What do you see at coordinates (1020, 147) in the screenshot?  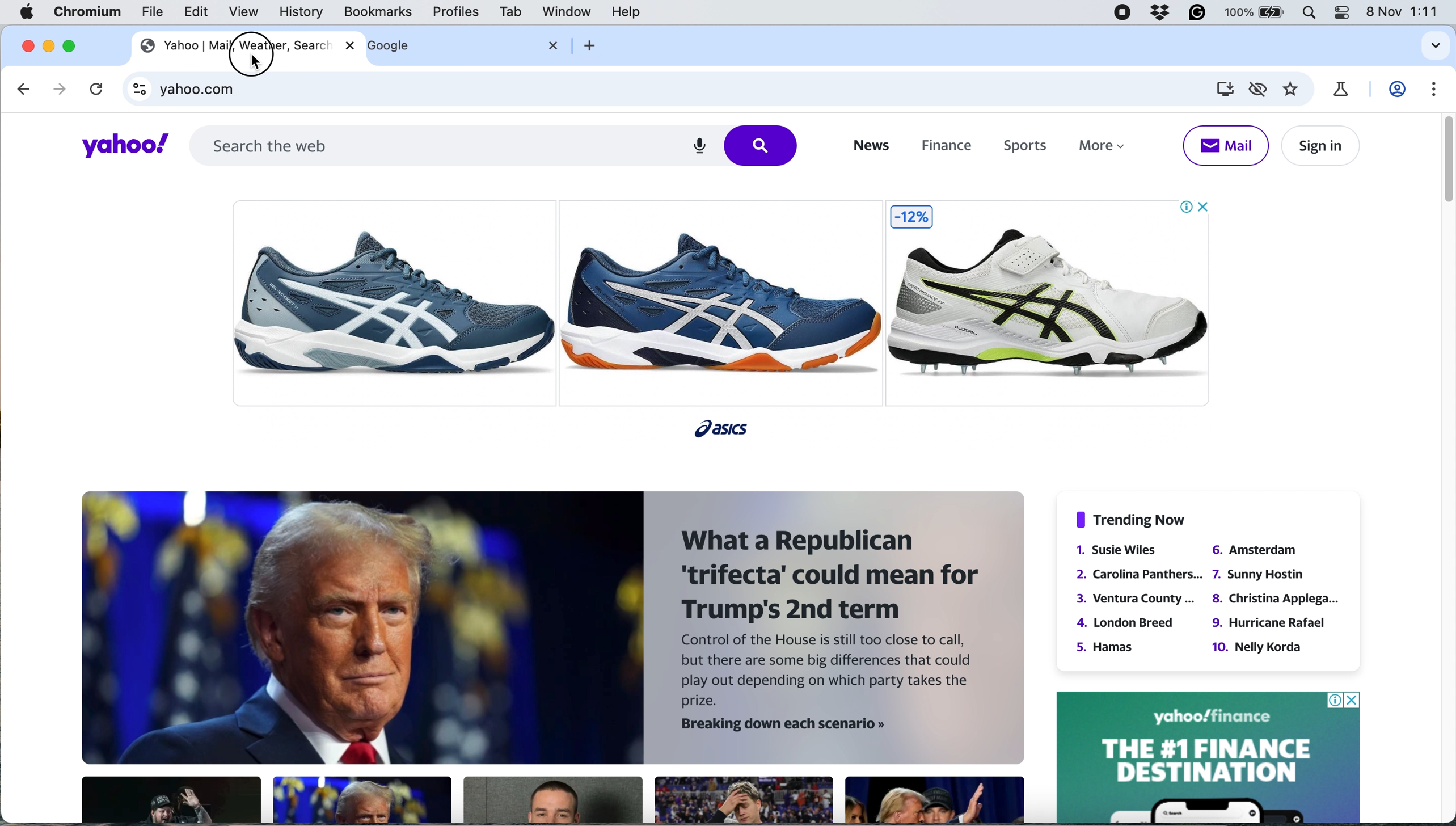 I see `sports` at bounding box center [1020, 147].